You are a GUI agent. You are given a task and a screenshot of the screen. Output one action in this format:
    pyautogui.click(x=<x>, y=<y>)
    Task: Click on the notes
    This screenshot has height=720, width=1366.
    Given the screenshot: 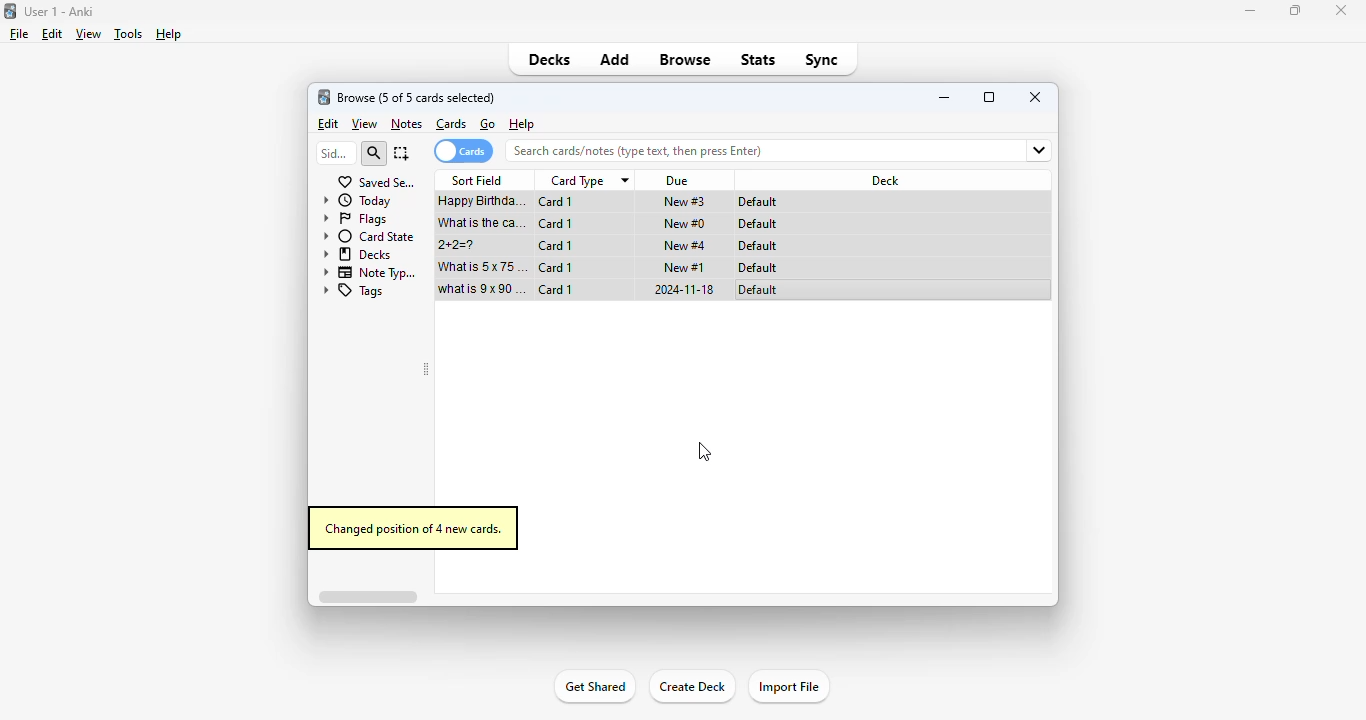 What is the action you would take?
    pyautogui.click(x=406, y=125)
    